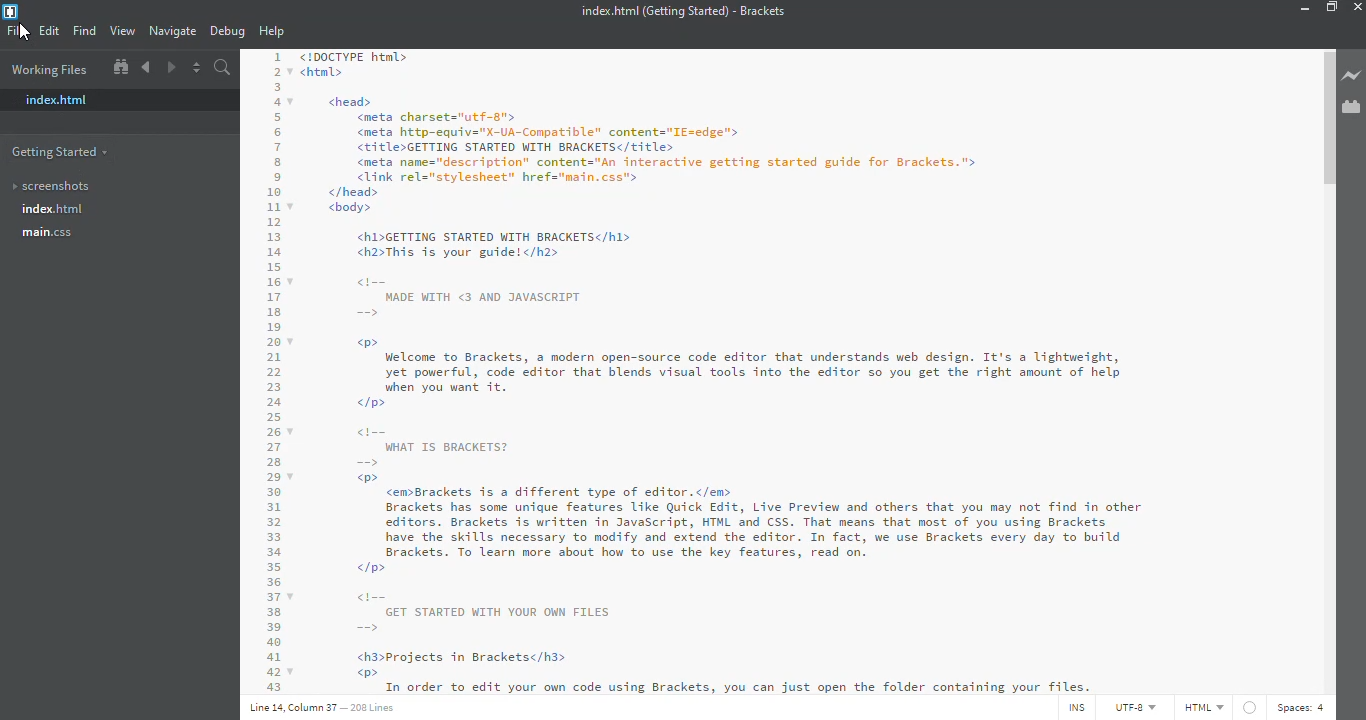 The height and width of the screenshot is (720, 1366). Describe the element at coordinates (171, 67) in the screenshot. I see `forward` at that location.